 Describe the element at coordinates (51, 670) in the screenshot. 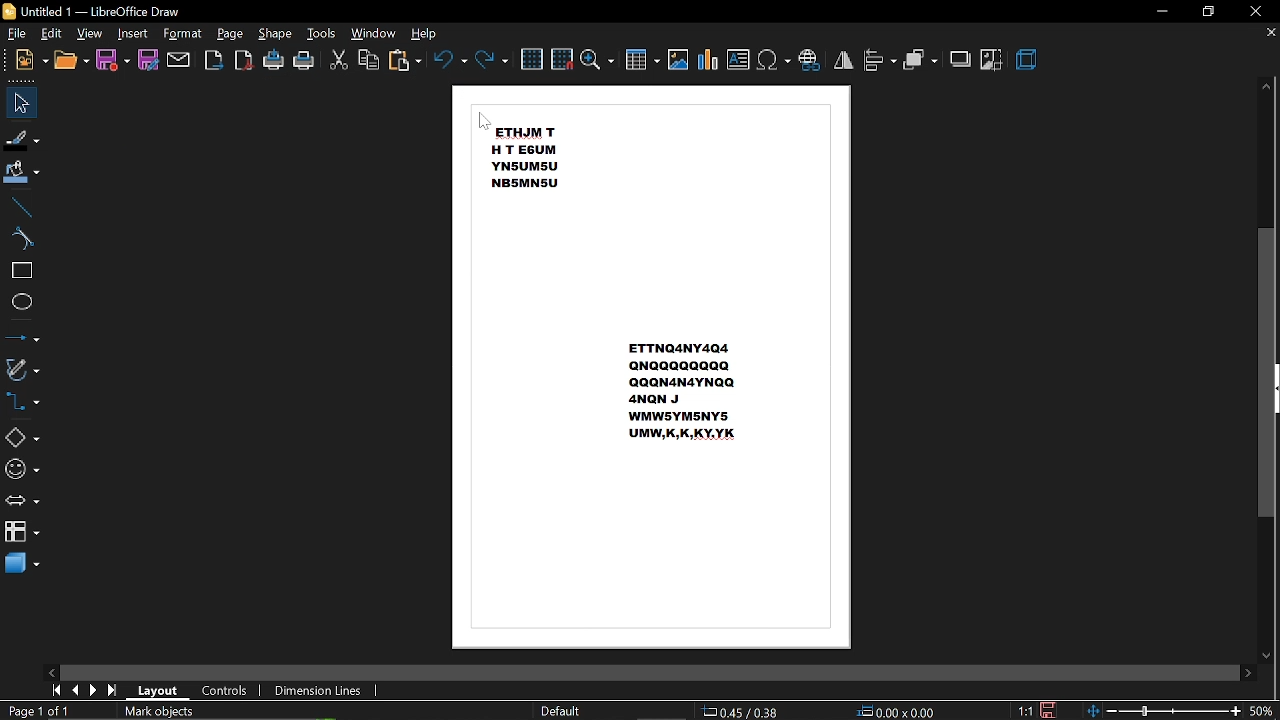

I see `move left` at that location.